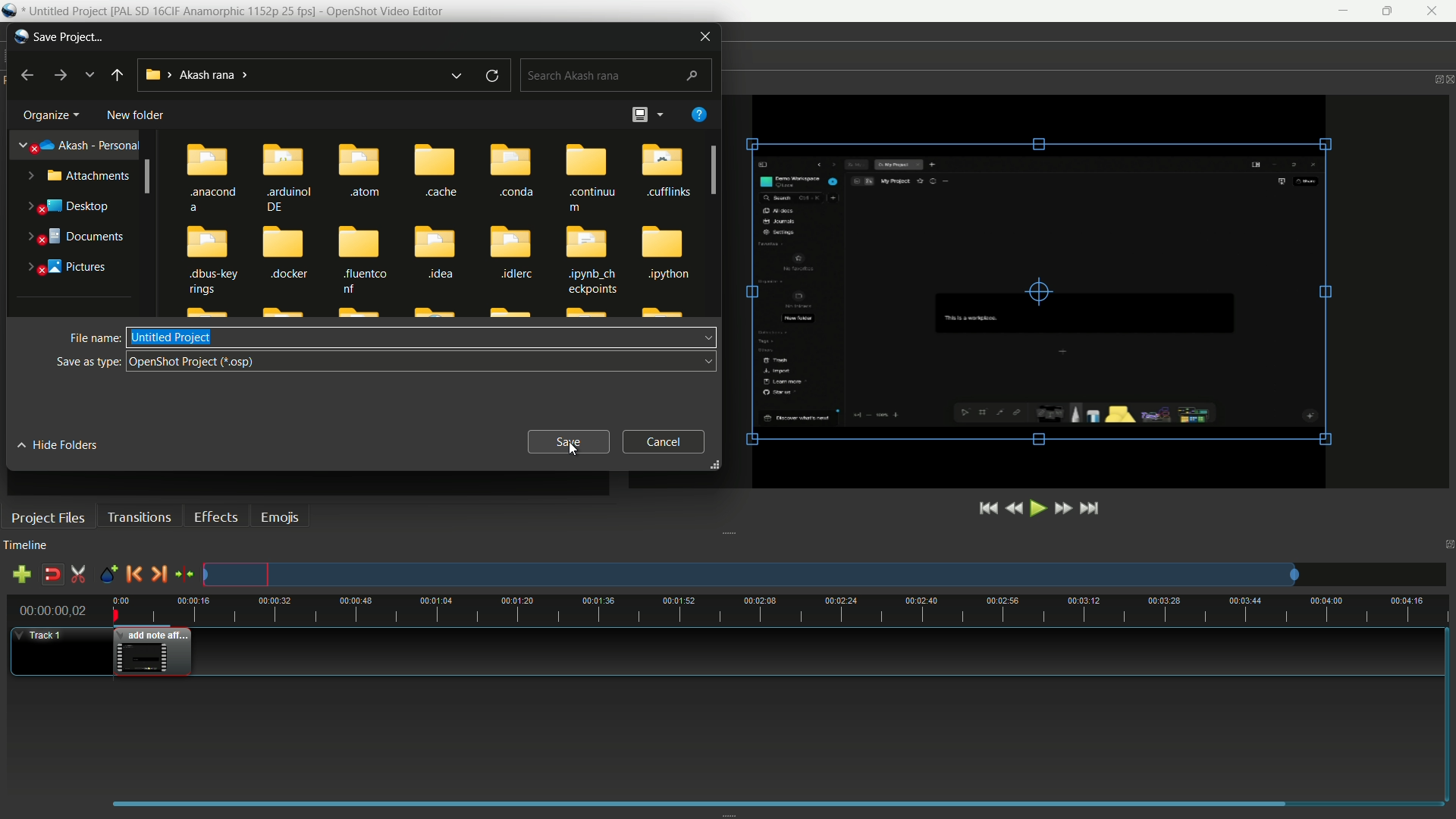 The image size is (1456, 819). What do you see at coordinates (1390, 11) in the screenshot?
I see `maximize` at bounding box center [1390, 11].